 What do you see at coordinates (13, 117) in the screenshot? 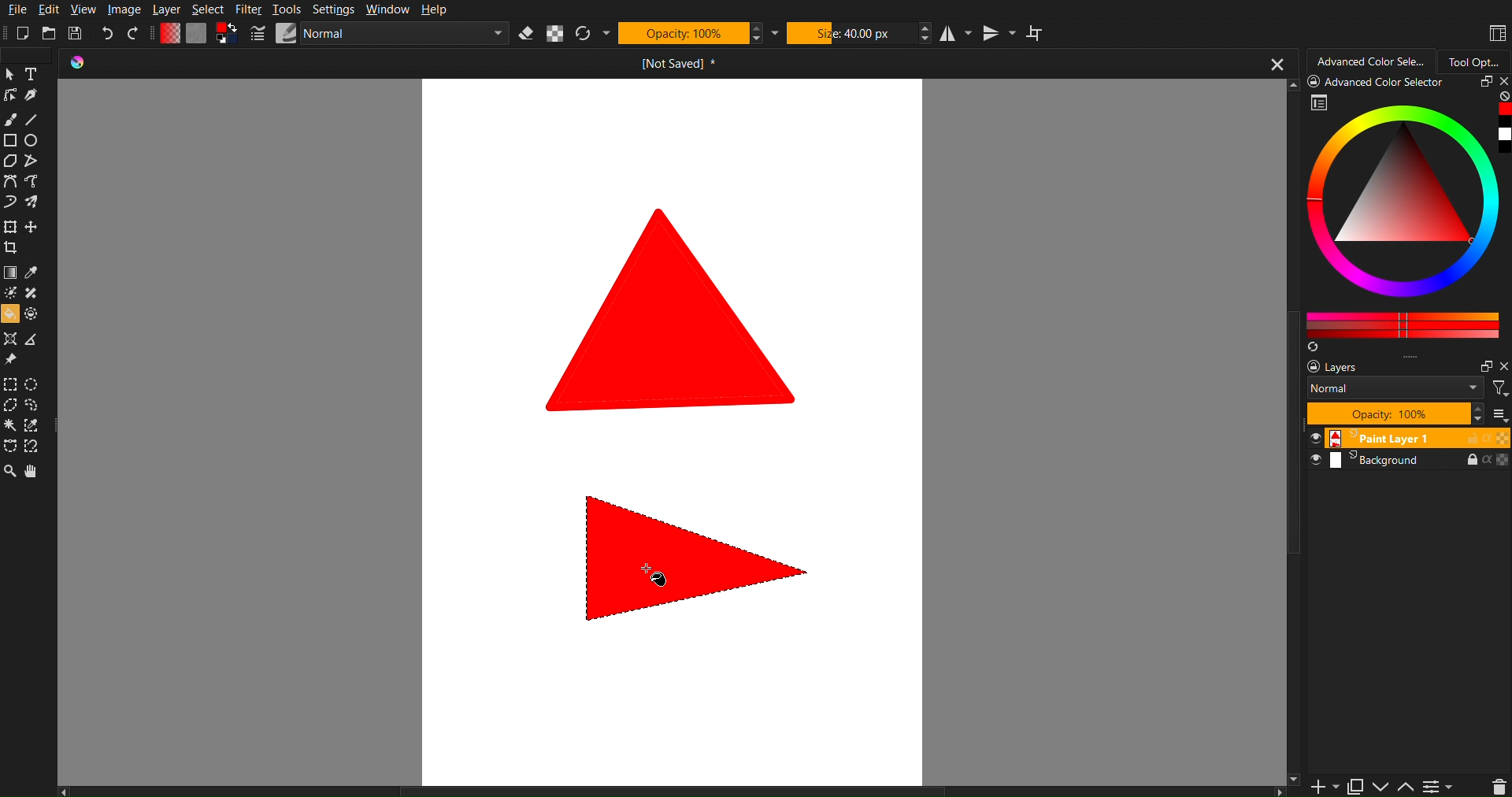
I see `Brush` at bounding box center [13, 117].